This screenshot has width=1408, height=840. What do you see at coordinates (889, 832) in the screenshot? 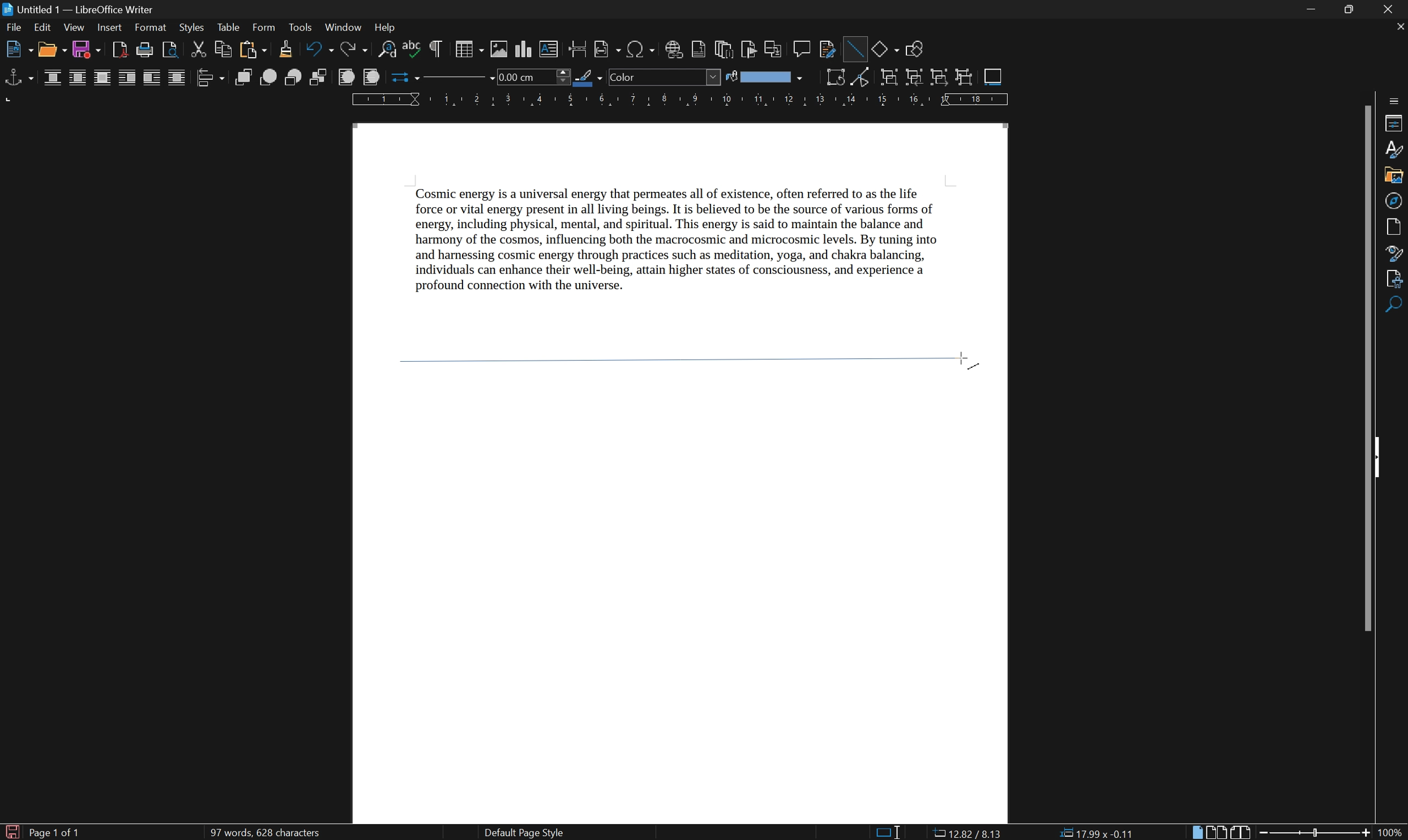
I see `standard selection. click to change selection mode.` at bounding box center [889, 832].